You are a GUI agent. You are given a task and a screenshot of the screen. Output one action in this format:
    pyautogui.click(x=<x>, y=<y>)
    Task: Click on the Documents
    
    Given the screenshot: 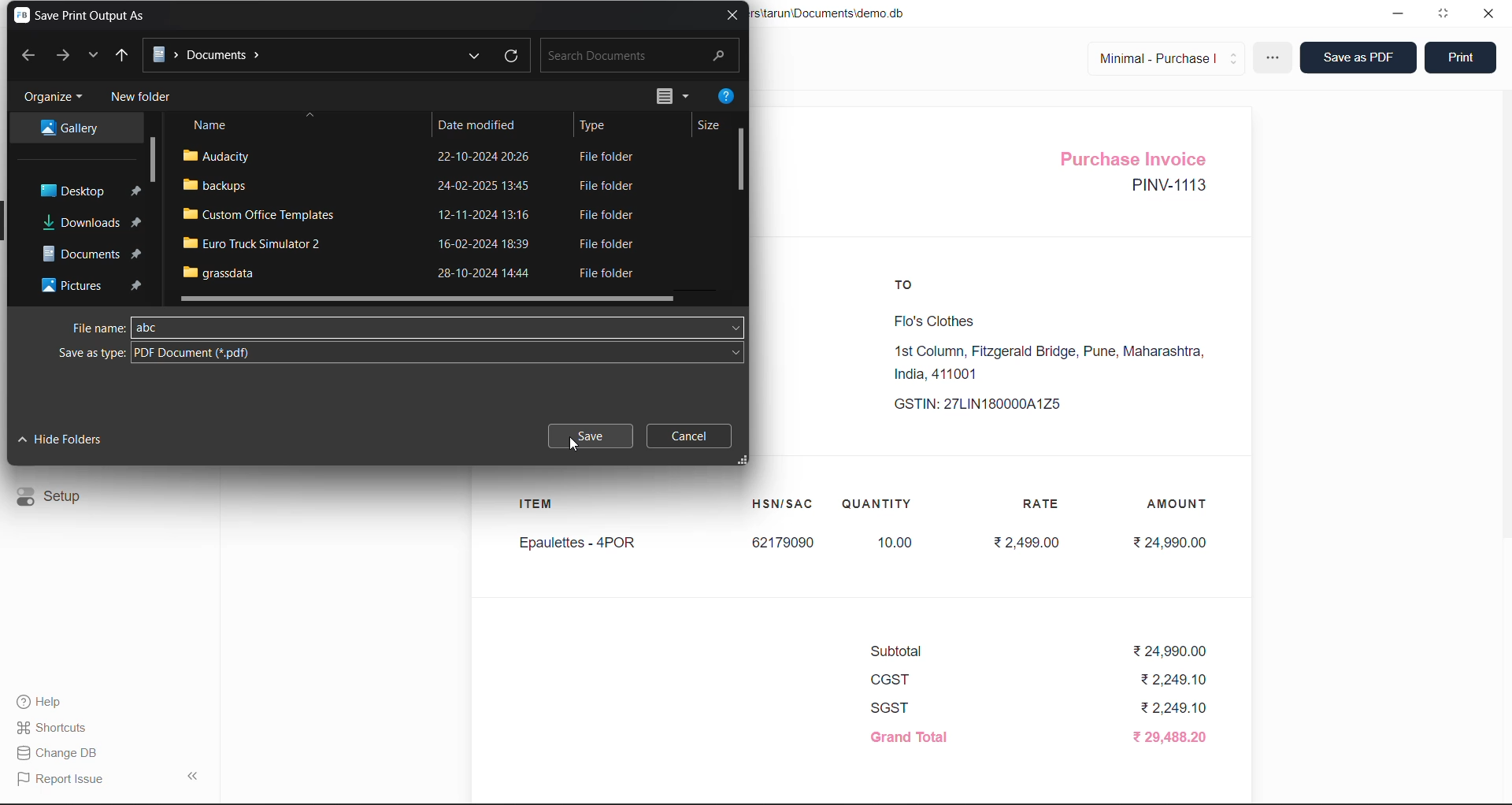 What is the action you would take?
    pyautogui.click(x=213, y=55)
    